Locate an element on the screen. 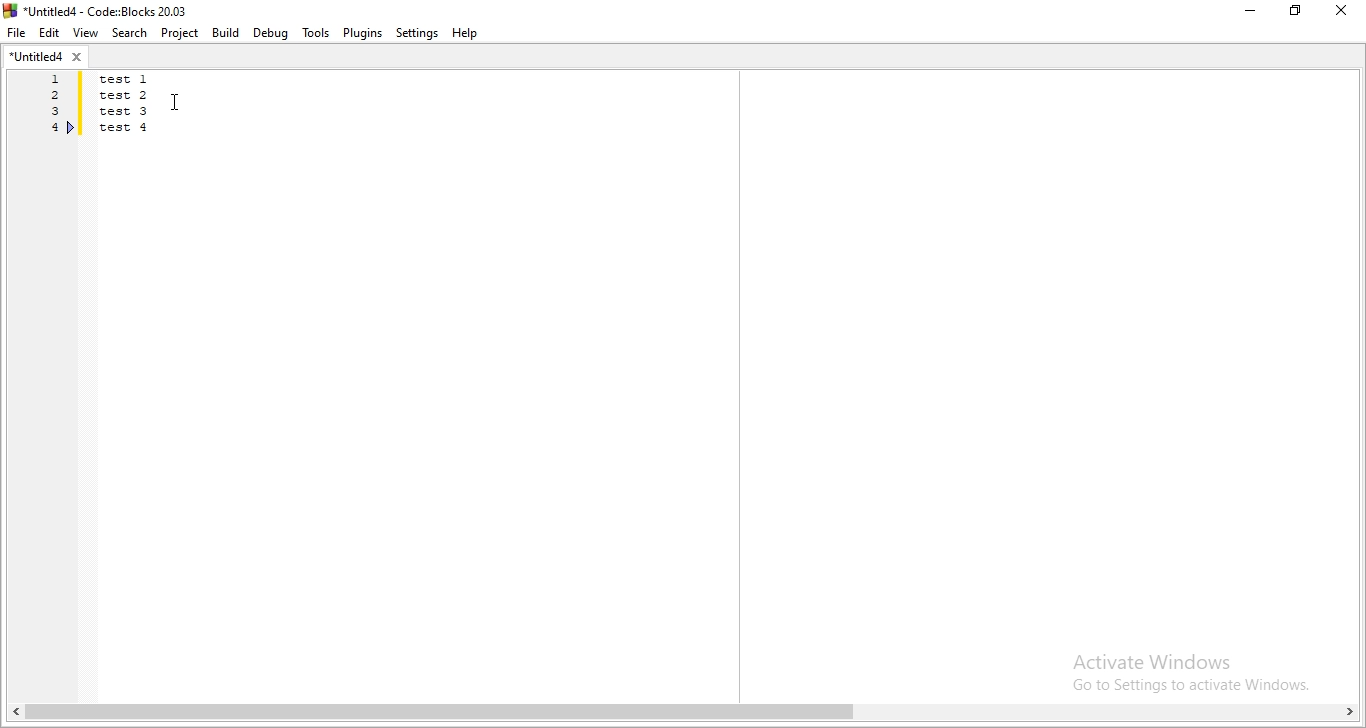 This screenshot has width=1366, height=728. Help is located at coordinates (469, 34).